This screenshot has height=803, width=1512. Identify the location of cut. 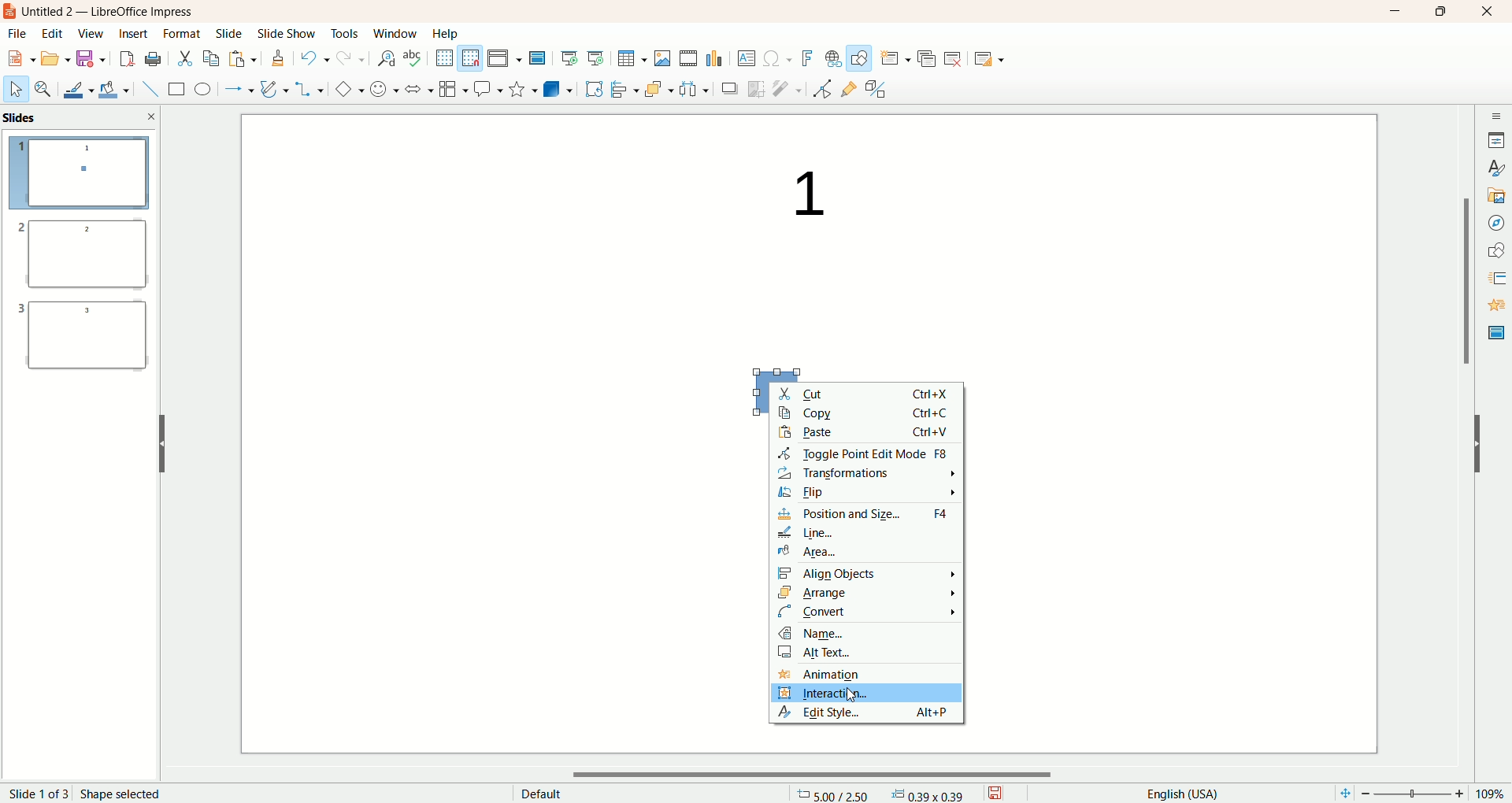
(186, 57).